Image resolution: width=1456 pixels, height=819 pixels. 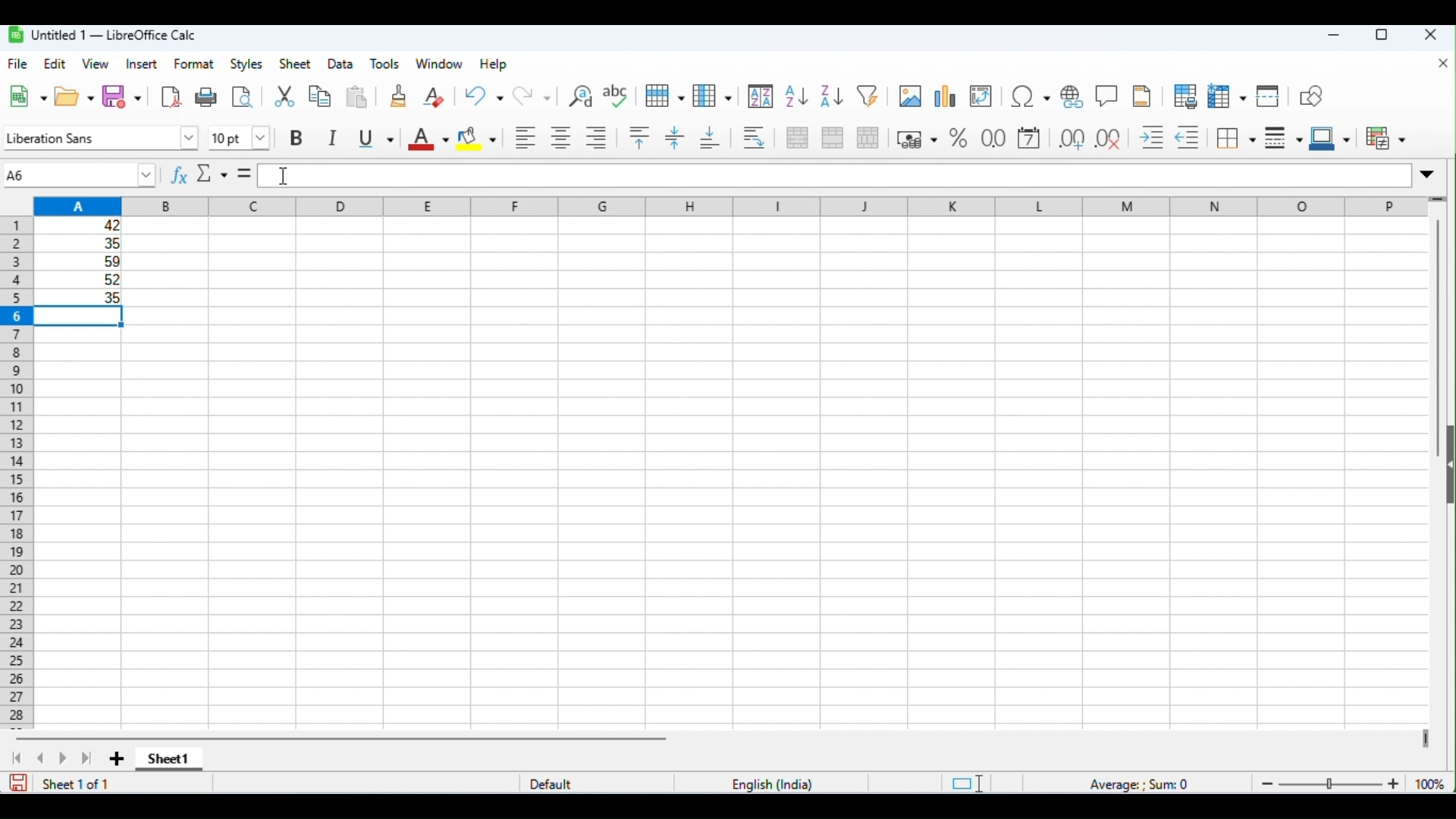 I want to click on sheet1, so click(x=169, y=761).